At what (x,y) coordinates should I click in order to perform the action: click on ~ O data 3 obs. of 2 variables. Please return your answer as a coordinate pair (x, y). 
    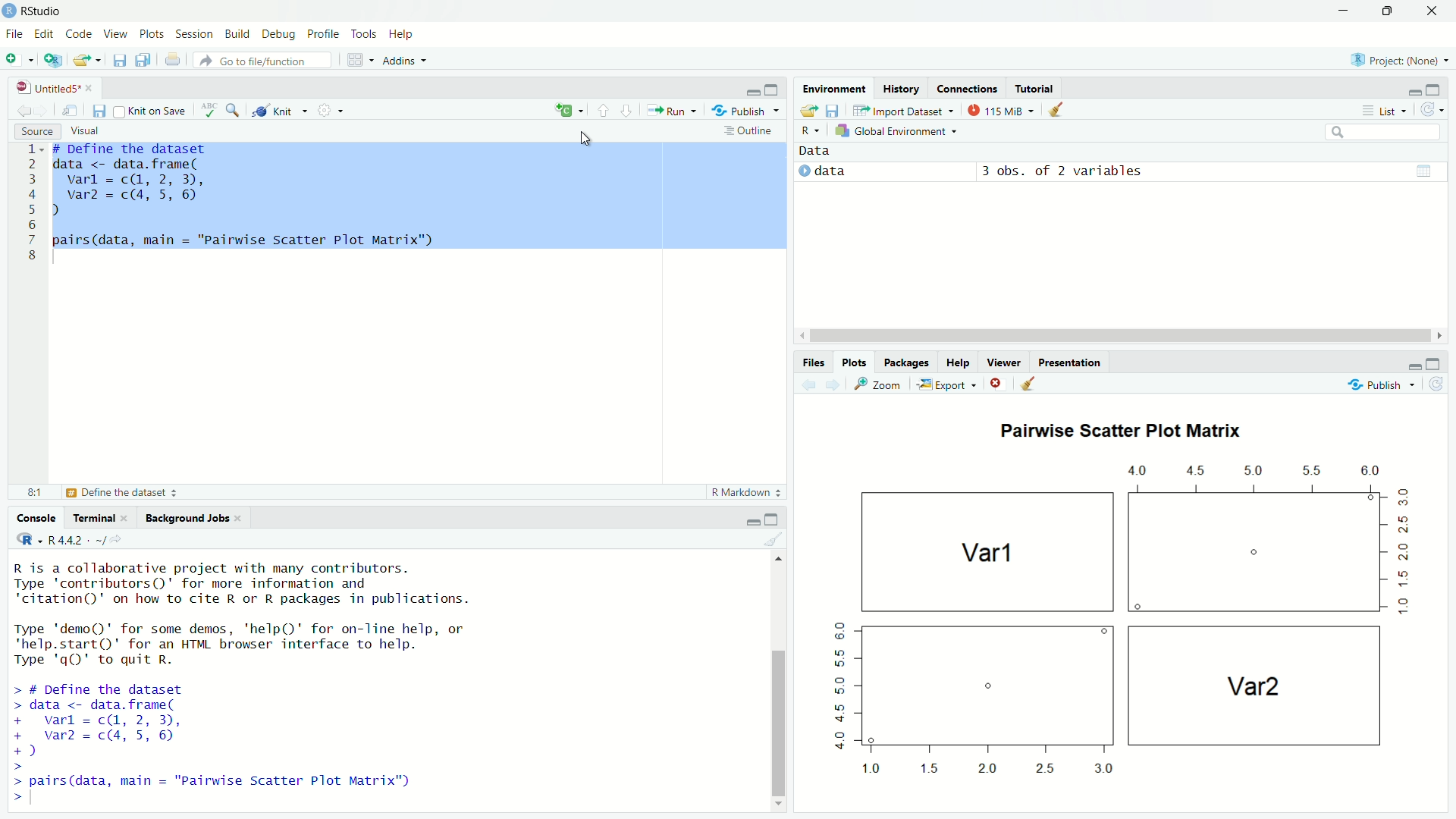
    Looking at the image, I should click on (973, 172).